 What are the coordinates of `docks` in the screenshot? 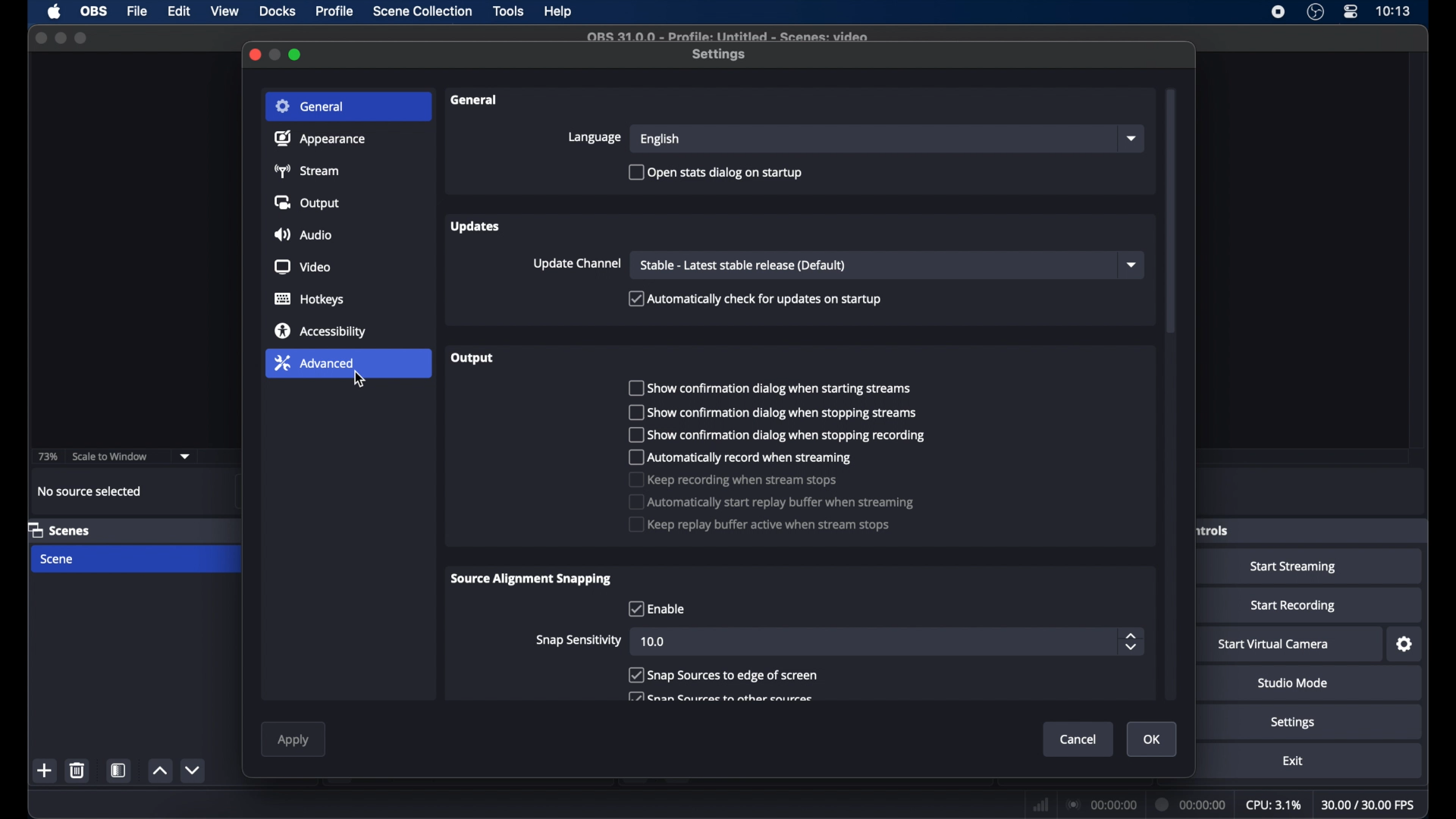 It's located at (278, 11).